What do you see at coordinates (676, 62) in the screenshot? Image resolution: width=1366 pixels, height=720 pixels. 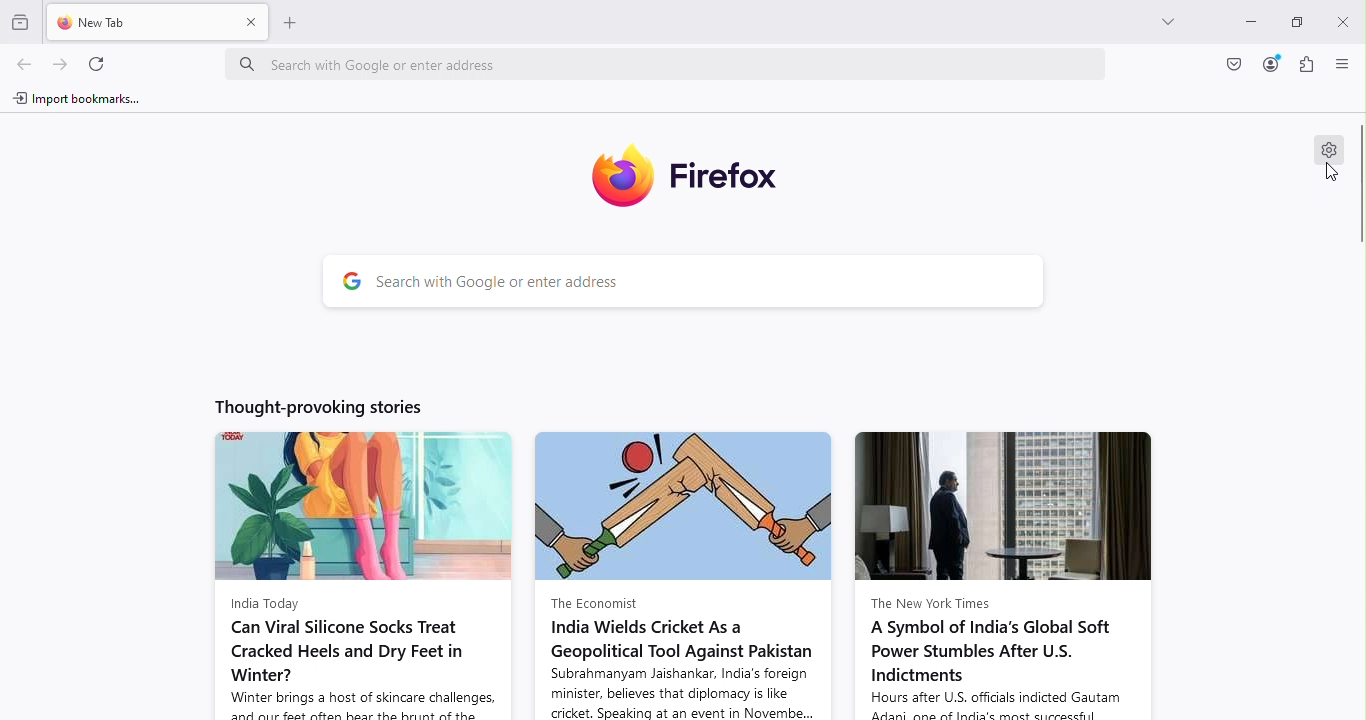 I see `Search bar` at bounding box center [676, 62].